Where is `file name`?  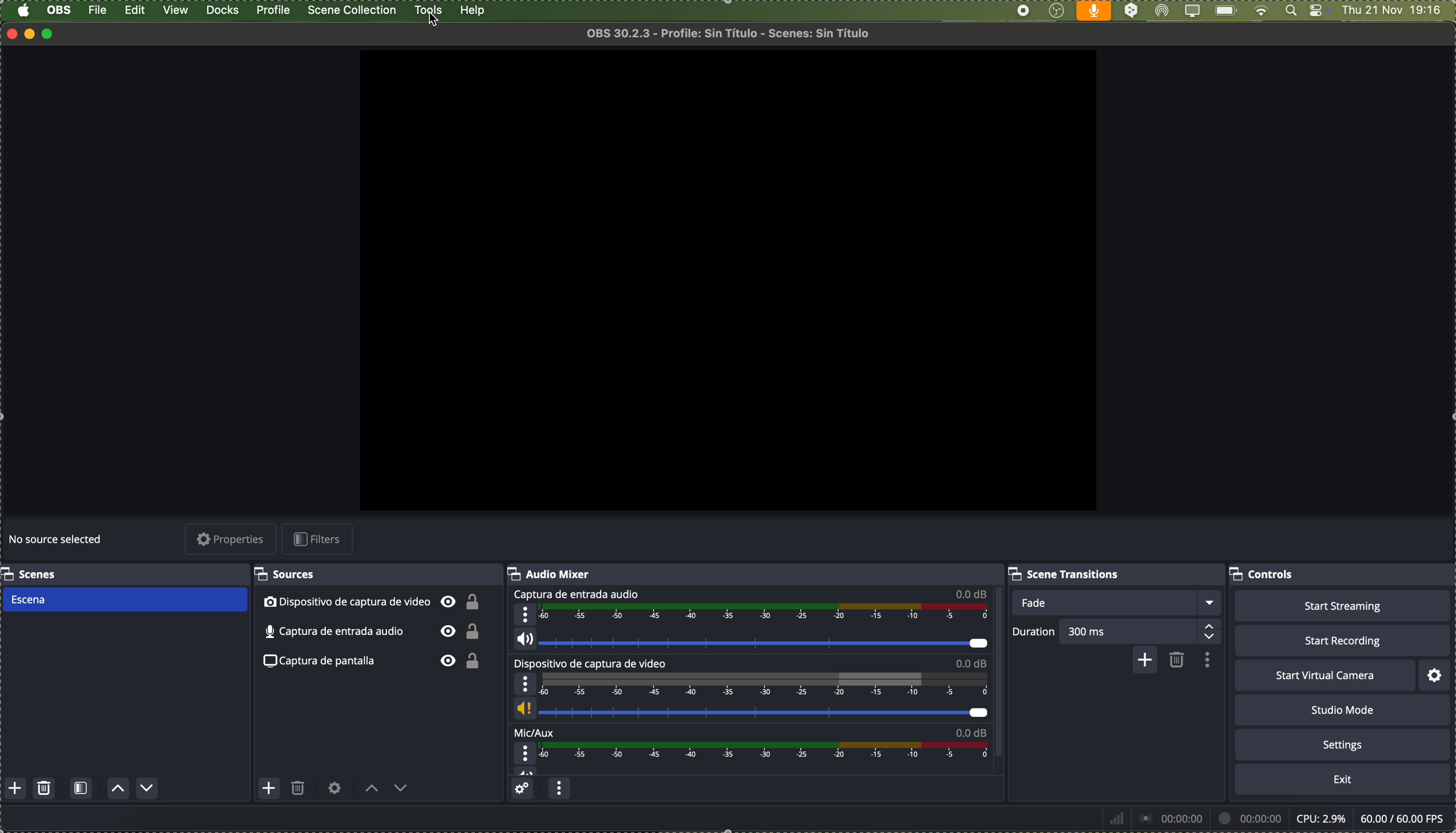 file name is located at coordinates (733, 33).